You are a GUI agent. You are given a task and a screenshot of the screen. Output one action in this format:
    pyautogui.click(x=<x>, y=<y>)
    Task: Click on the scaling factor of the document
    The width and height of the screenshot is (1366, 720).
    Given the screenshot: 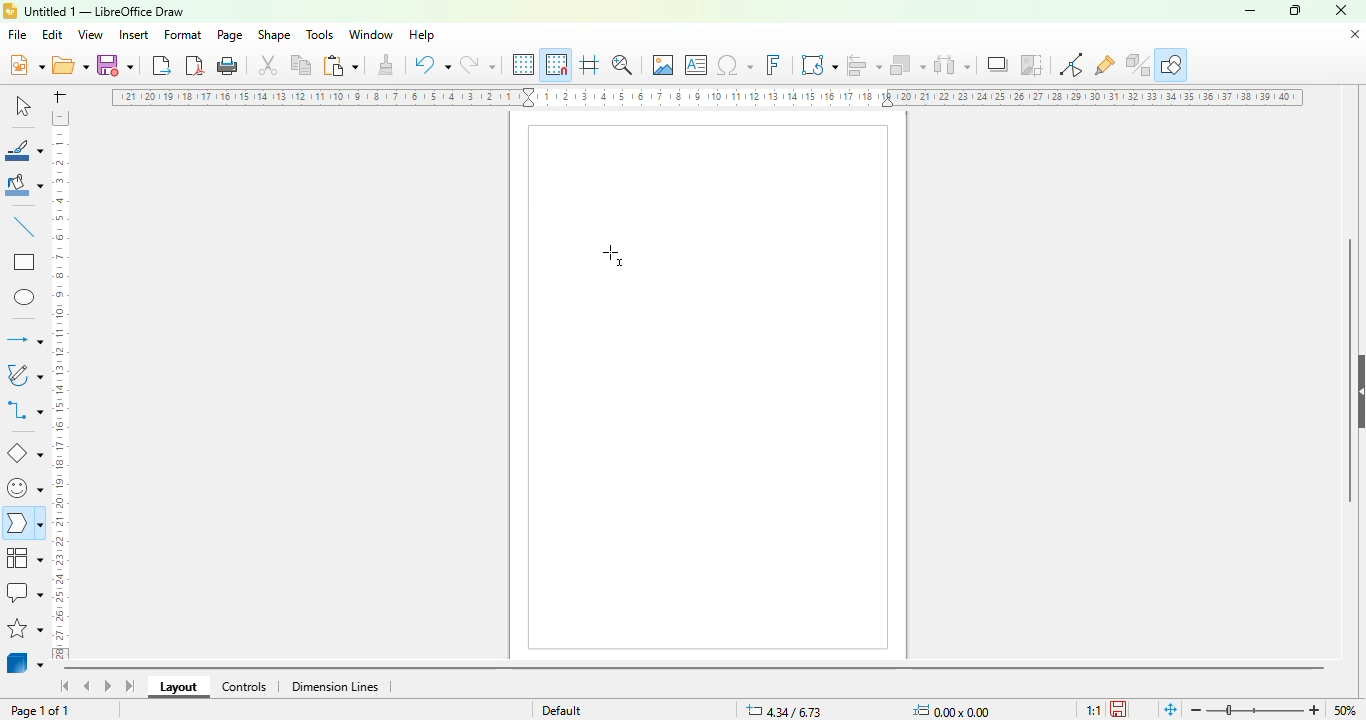 What is the action you would take?
    pyautogui.click(x=1093, y=710)
    